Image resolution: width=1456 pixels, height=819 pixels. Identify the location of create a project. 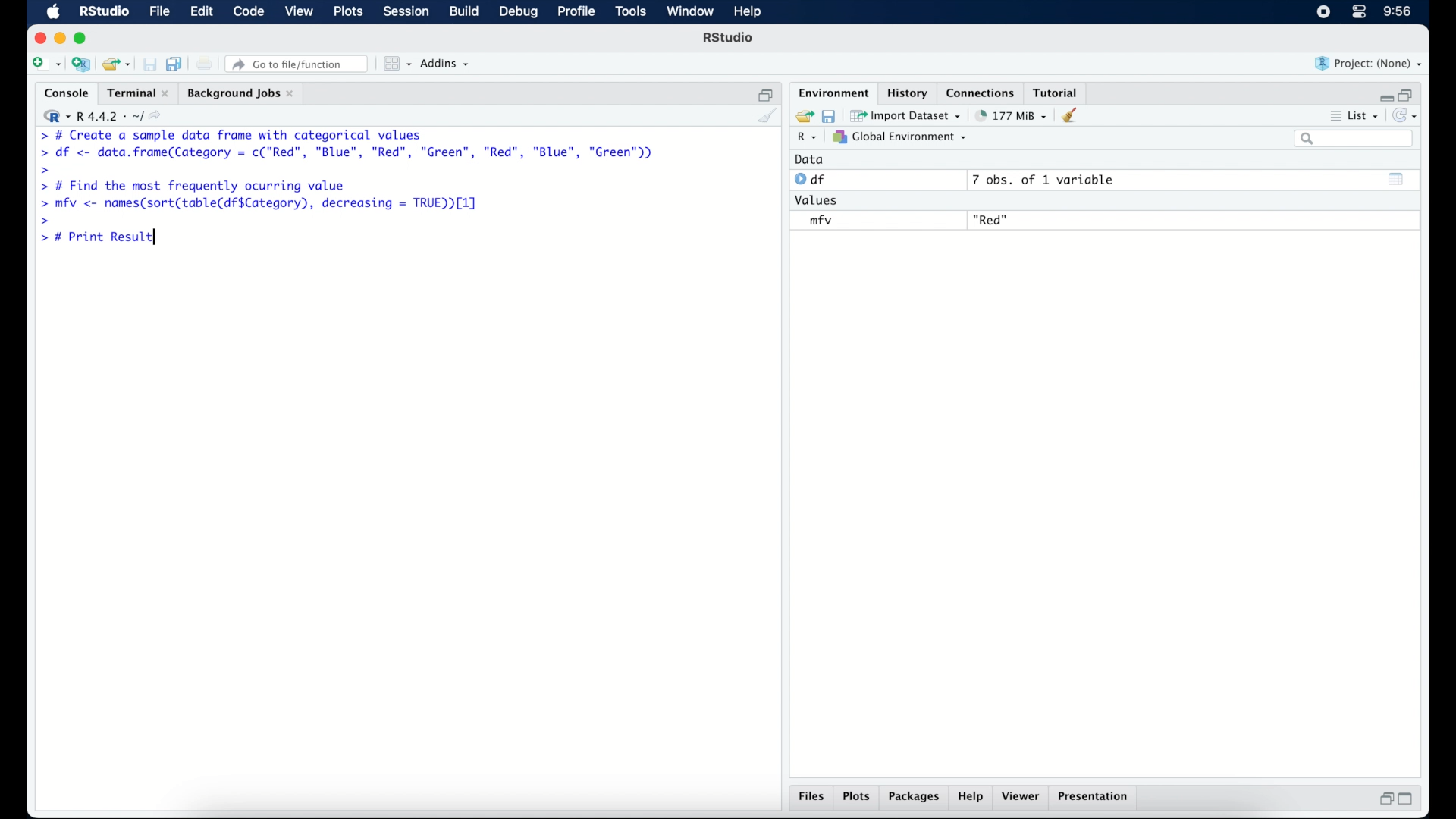
(82, 64).